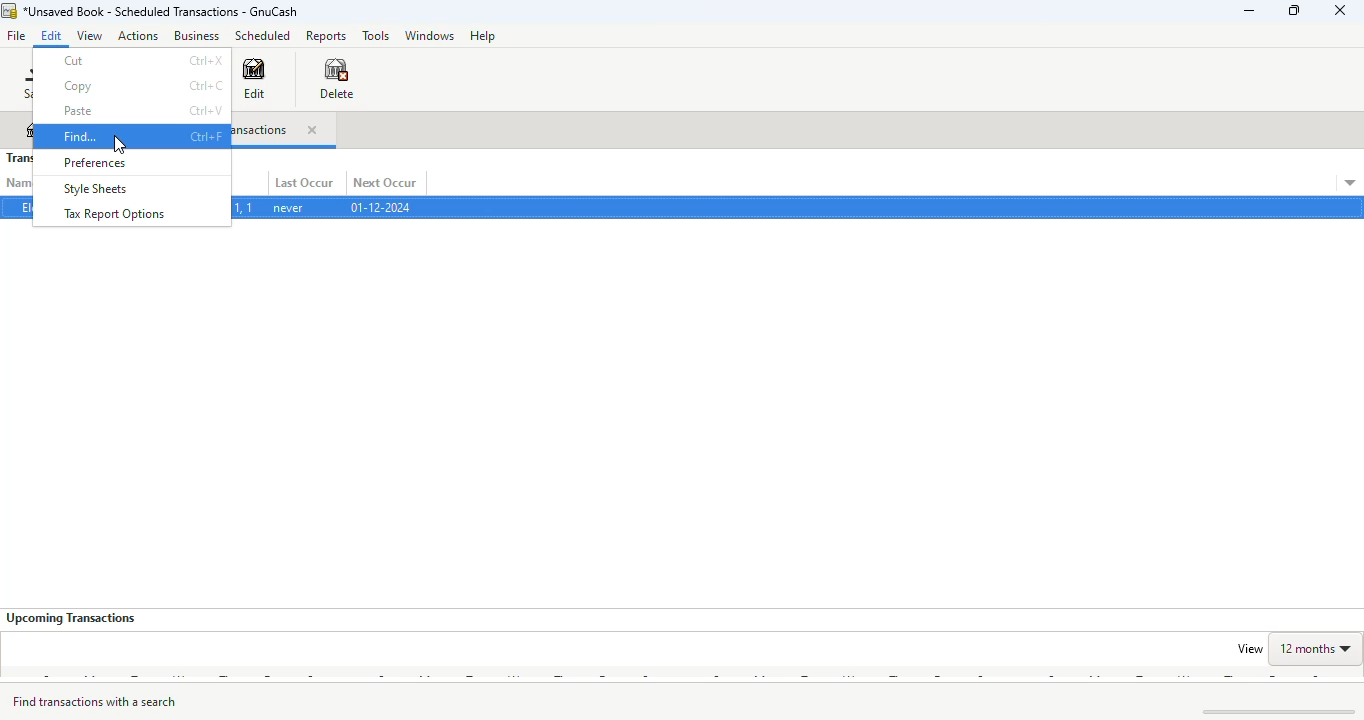 This screenshot has height=720, width=1364. I want to click on tax report options, so click(113, 214).